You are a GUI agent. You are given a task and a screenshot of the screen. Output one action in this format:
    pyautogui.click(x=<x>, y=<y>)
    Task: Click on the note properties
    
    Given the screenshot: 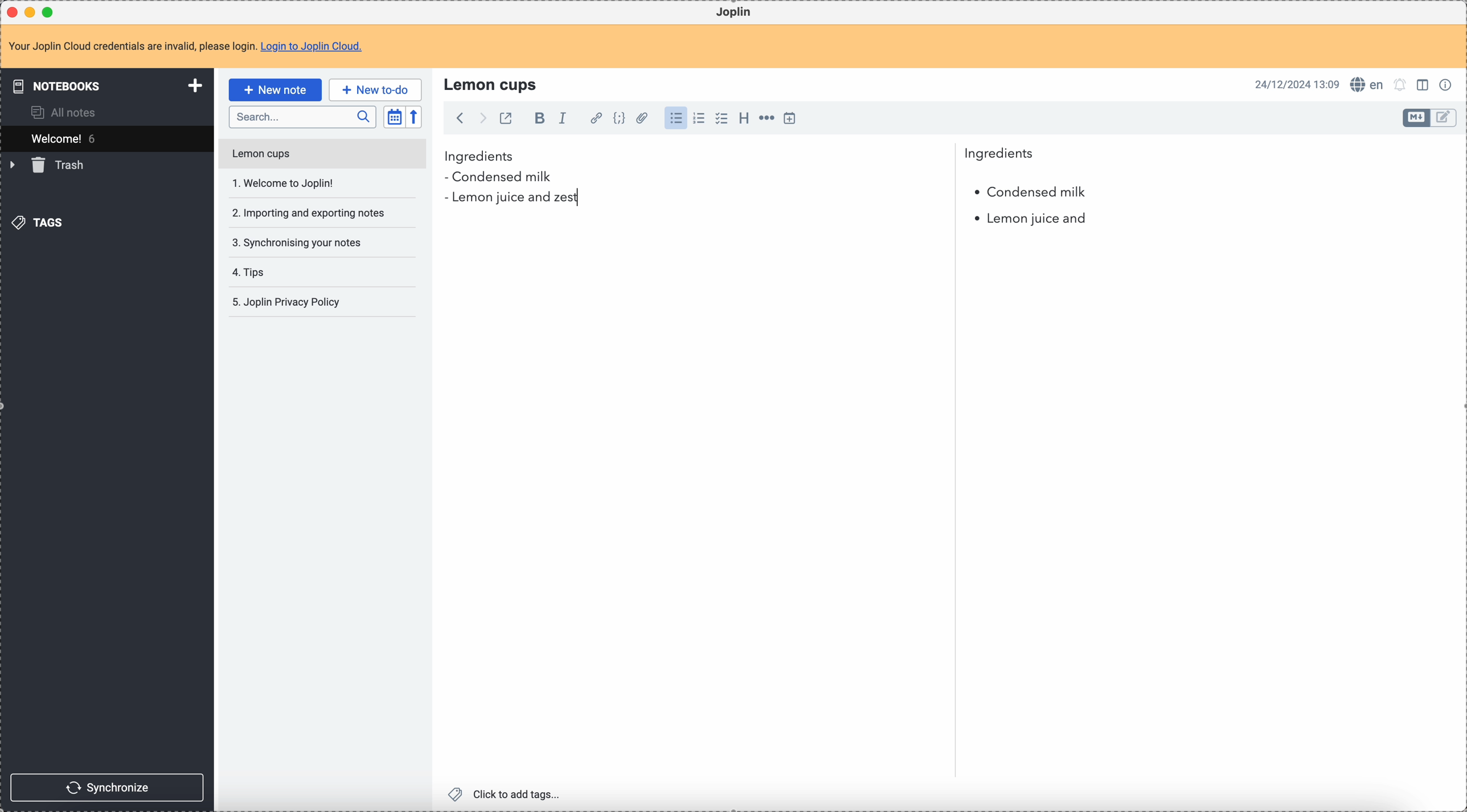 What is the action you would take?
    pyautogui.click(x=1448, y=84)
    